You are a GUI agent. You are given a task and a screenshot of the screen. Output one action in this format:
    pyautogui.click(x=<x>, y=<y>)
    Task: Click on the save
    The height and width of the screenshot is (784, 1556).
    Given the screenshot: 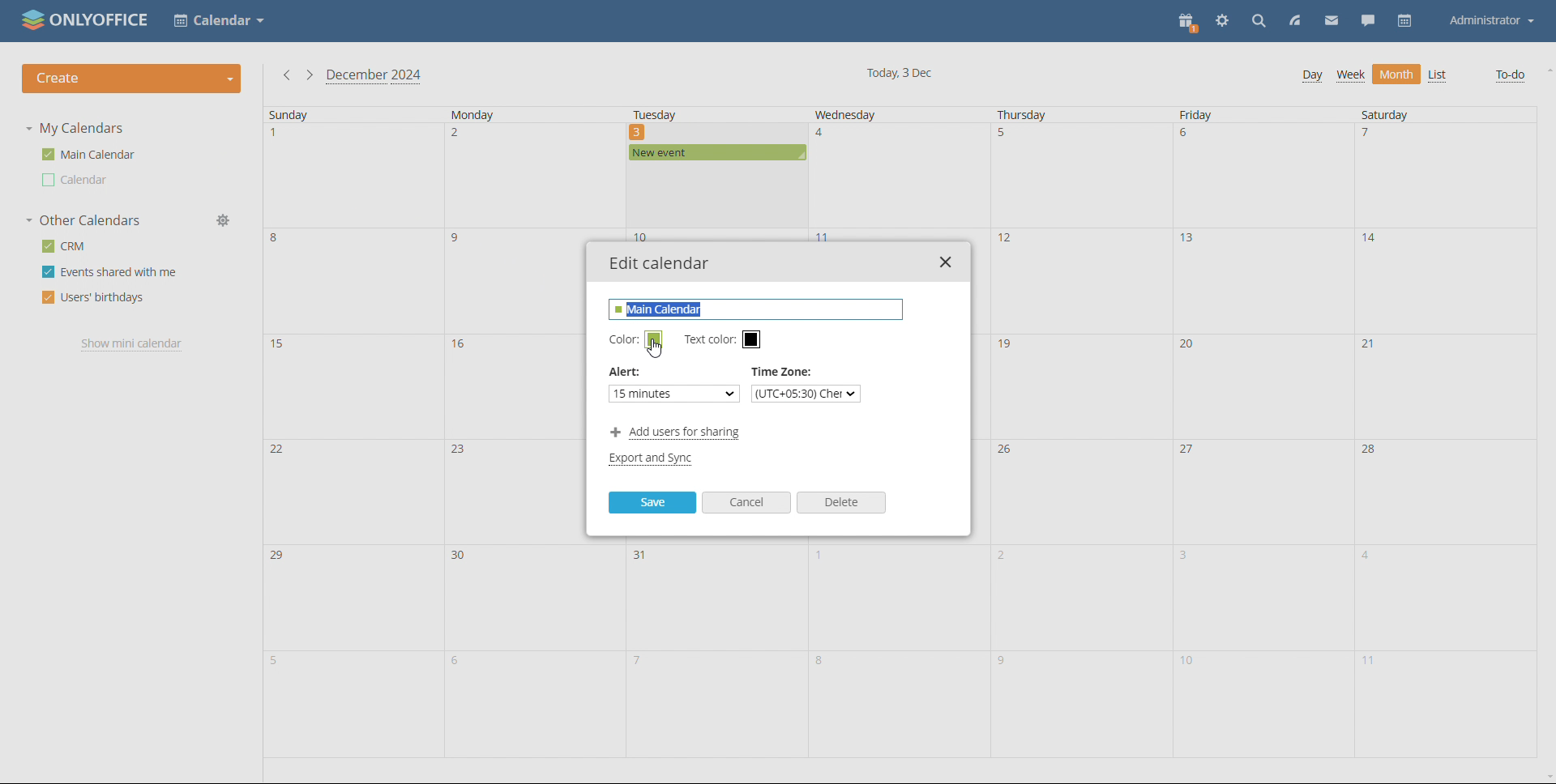 What is the action you would take?
    pyautogui.click(x=652, y=502)
    